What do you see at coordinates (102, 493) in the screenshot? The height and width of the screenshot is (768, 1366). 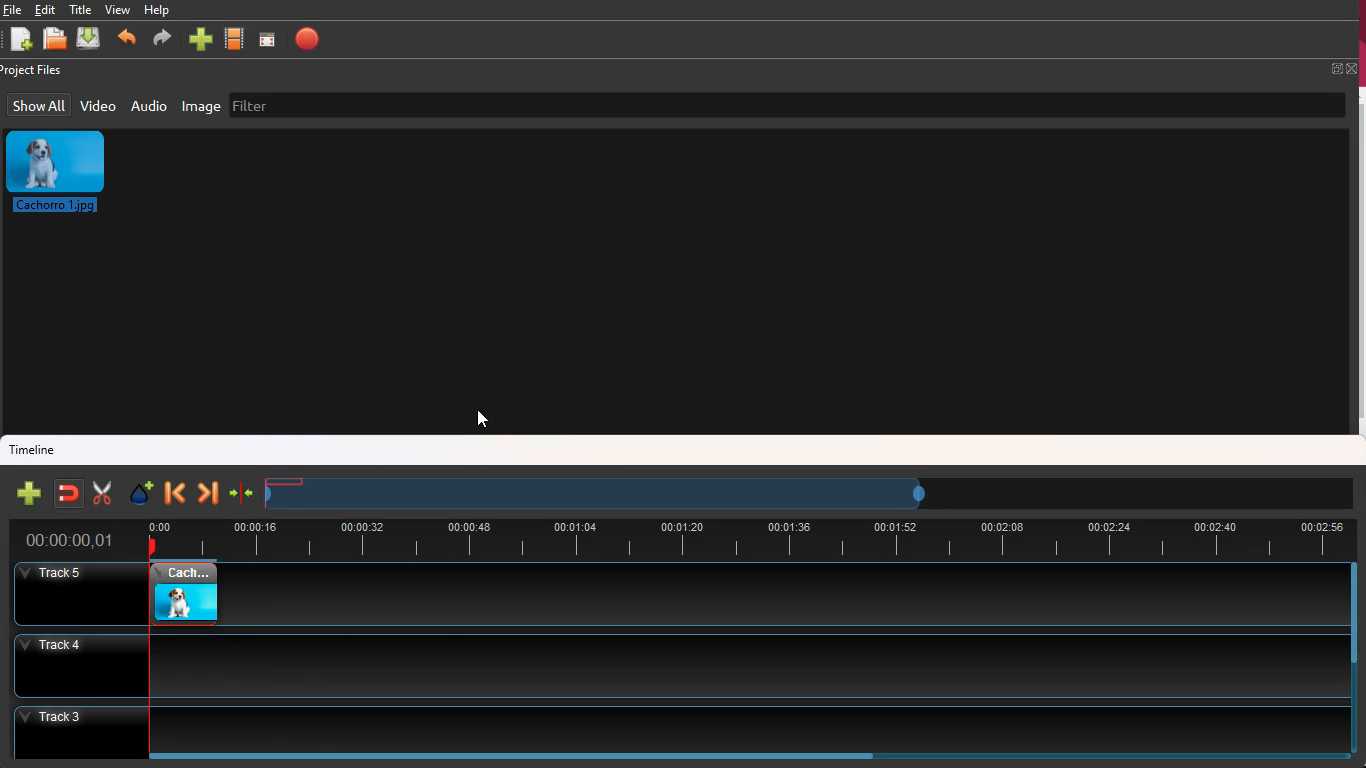 I see `cut` at bounding box center [102, 493].